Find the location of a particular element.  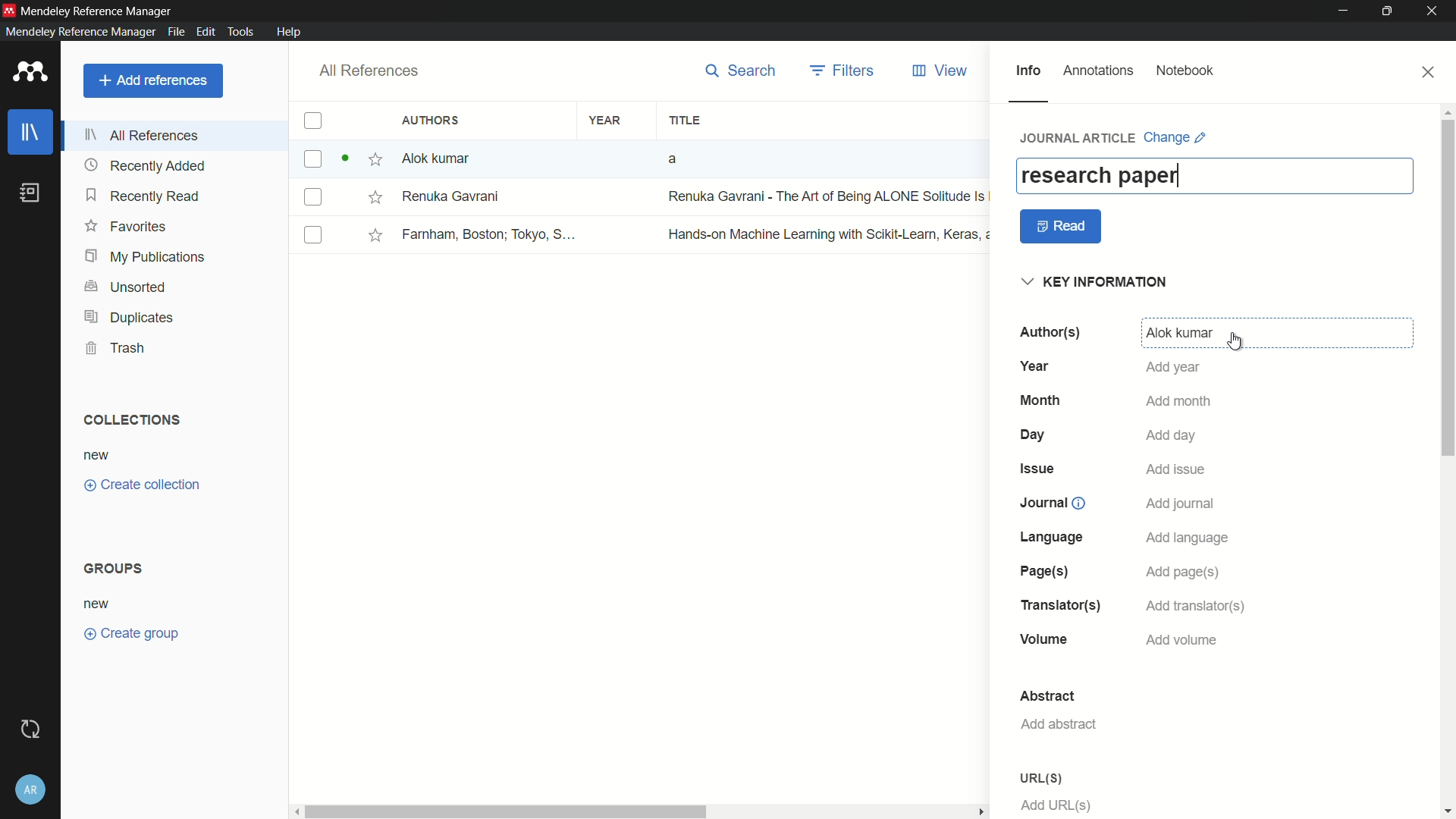

issue is located at coordinates (1040, 468).